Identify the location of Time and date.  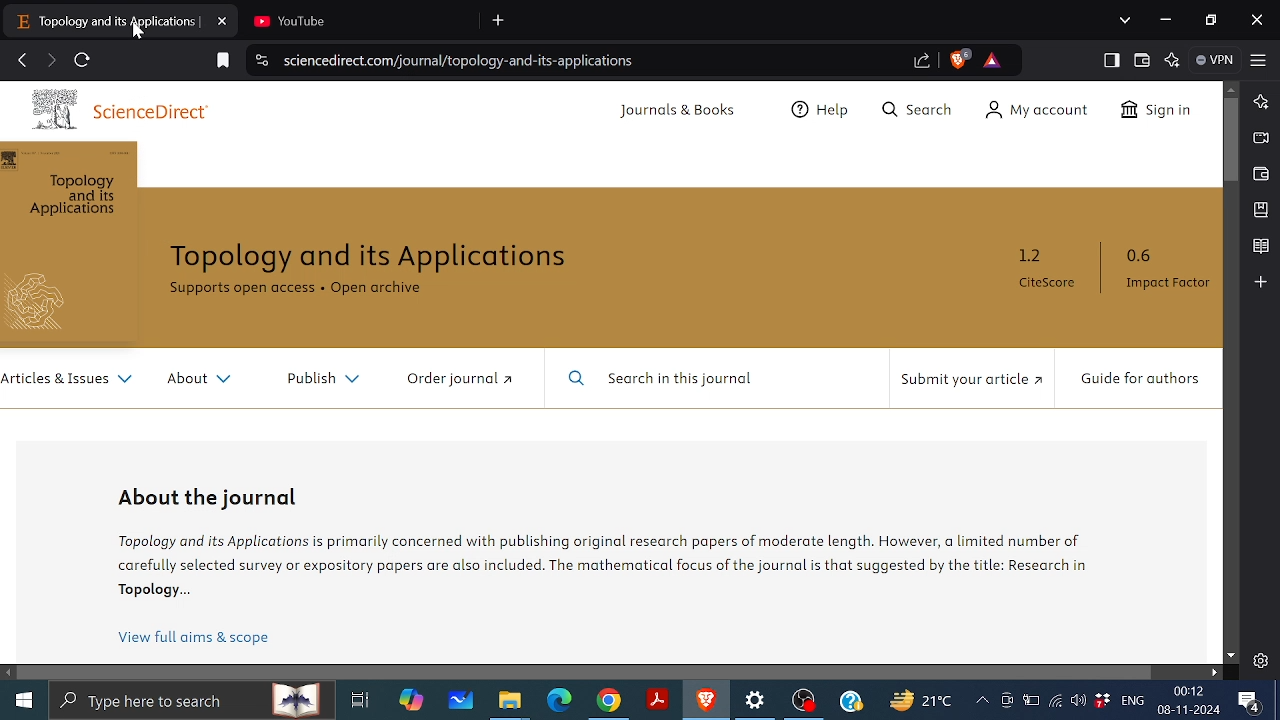
(1191, 700).